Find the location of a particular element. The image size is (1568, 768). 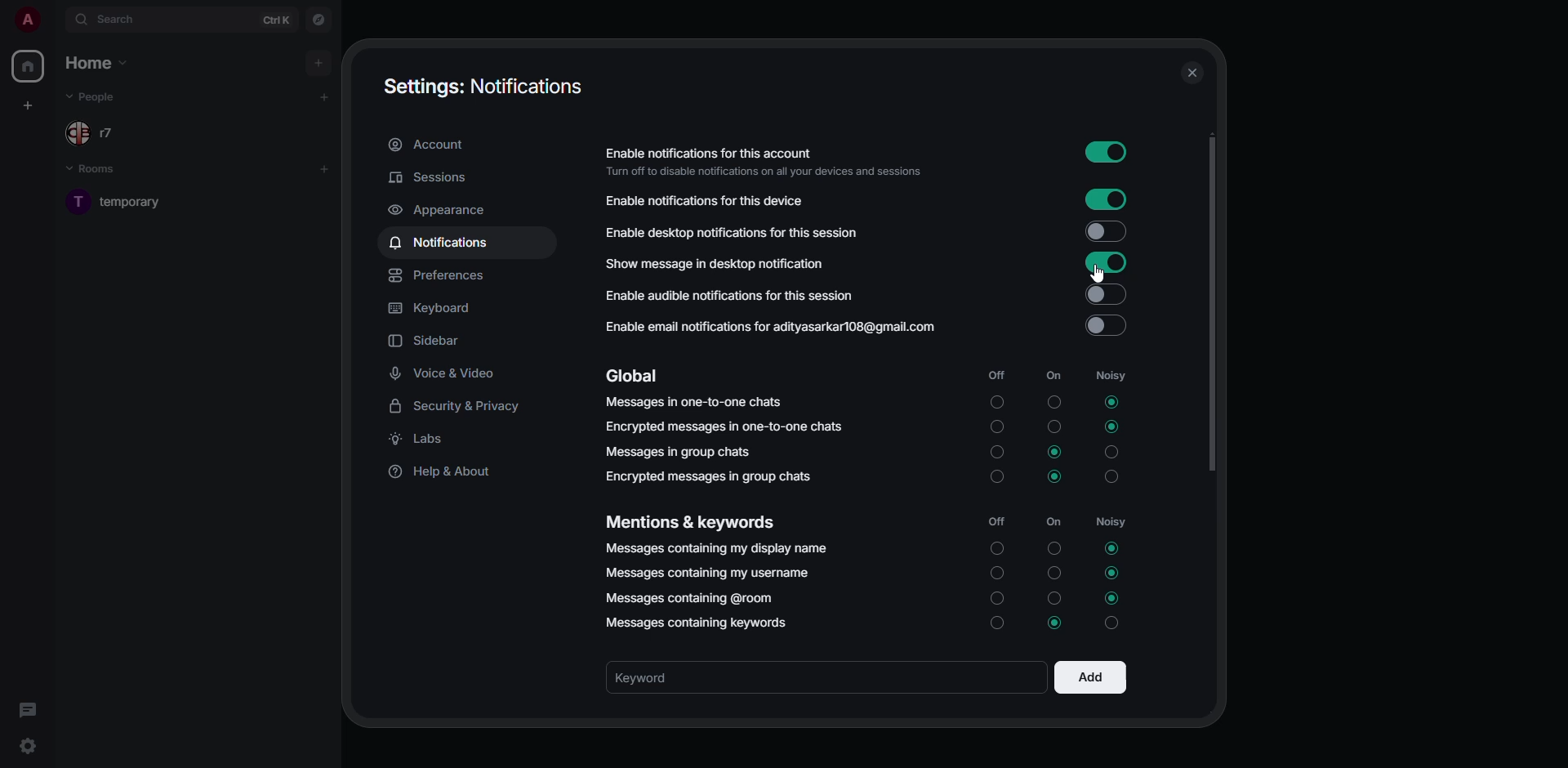

room is located at coordinates (134, 201).